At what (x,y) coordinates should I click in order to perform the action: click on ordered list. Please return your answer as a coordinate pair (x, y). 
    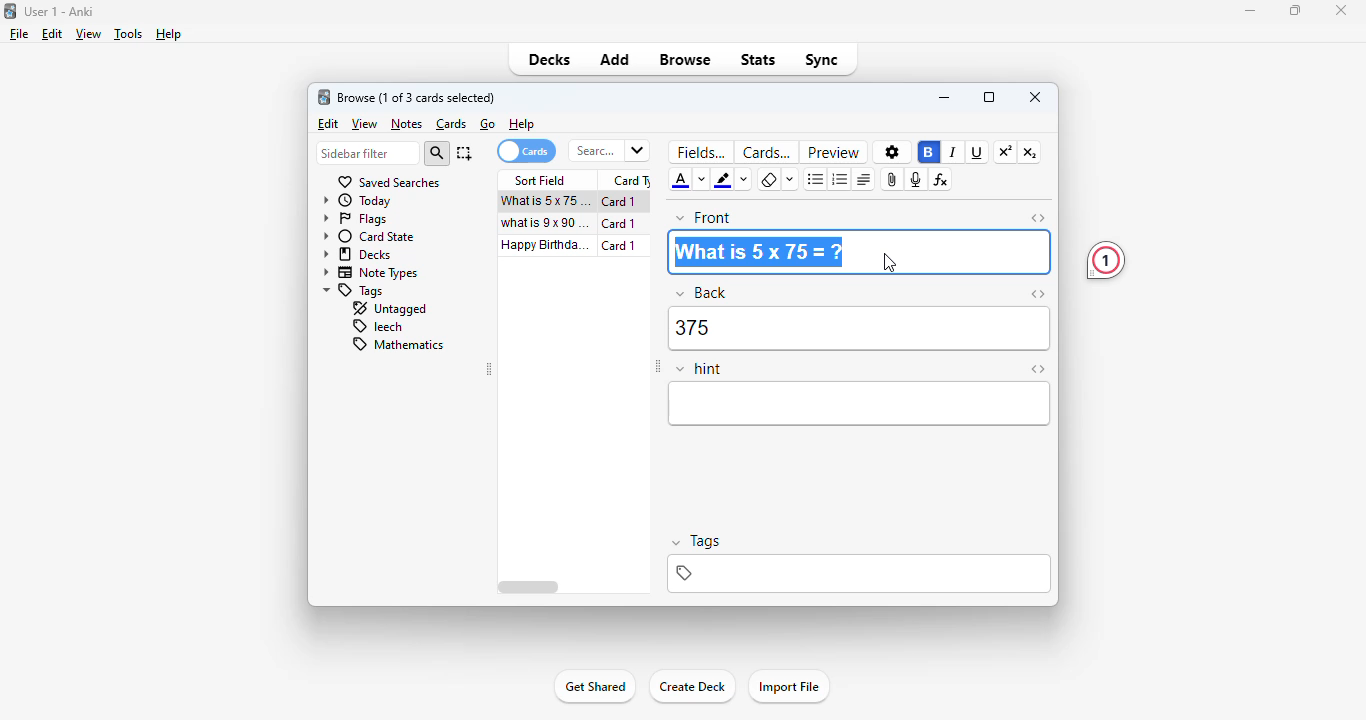
    Looking at the image, I should click on (839, 179).